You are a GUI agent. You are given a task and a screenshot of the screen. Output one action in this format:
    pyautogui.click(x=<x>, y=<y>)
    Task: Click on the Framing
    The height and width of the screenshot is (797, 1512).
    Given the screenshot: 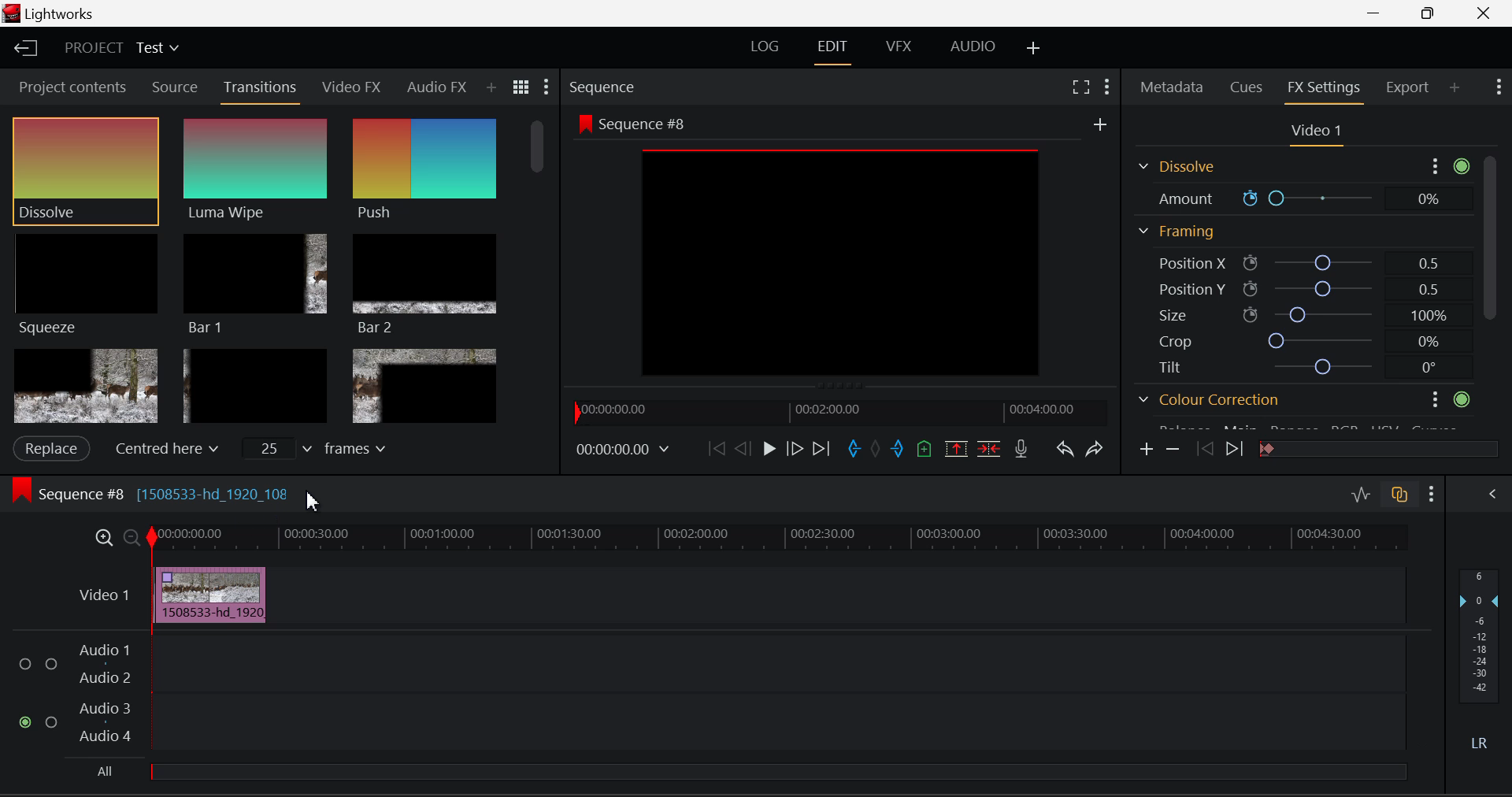 What is the action you would take?
    pyautogui.click(x=1298, y=229)
    